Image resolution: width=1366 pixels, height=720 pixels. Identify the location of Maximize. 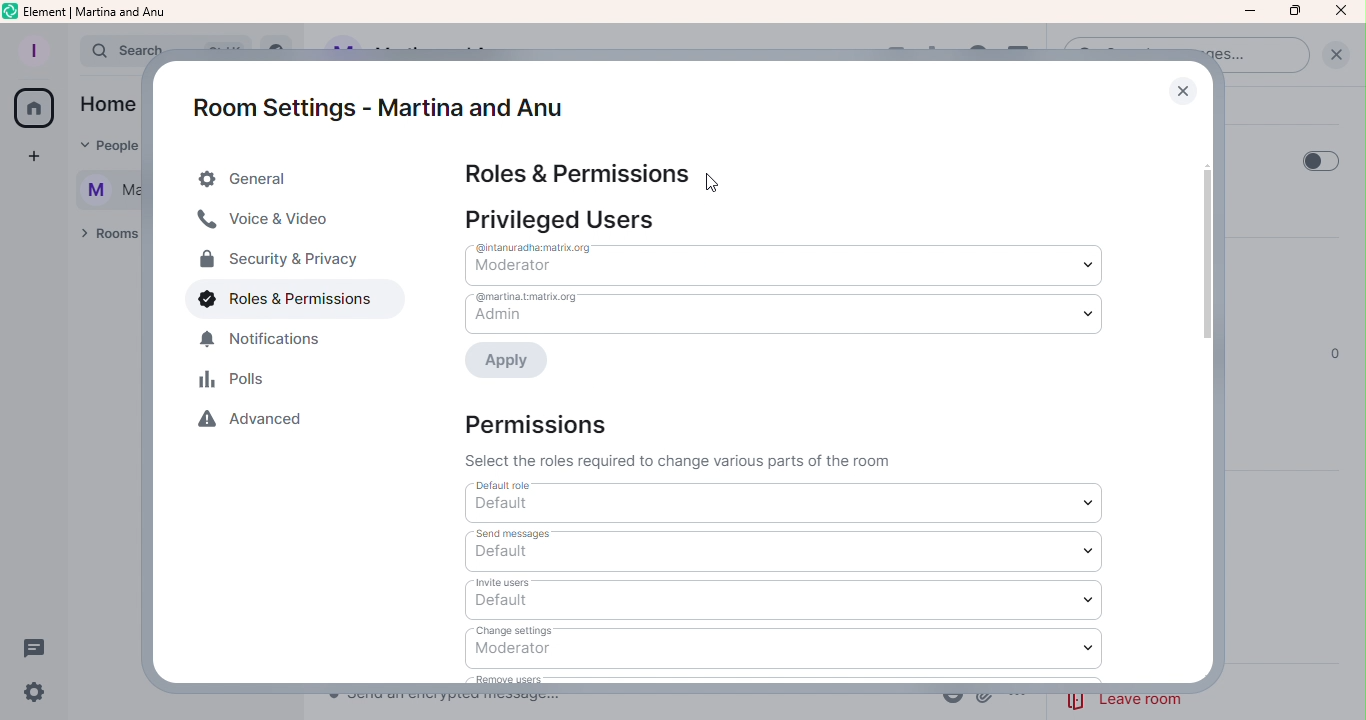
(1293, 12).